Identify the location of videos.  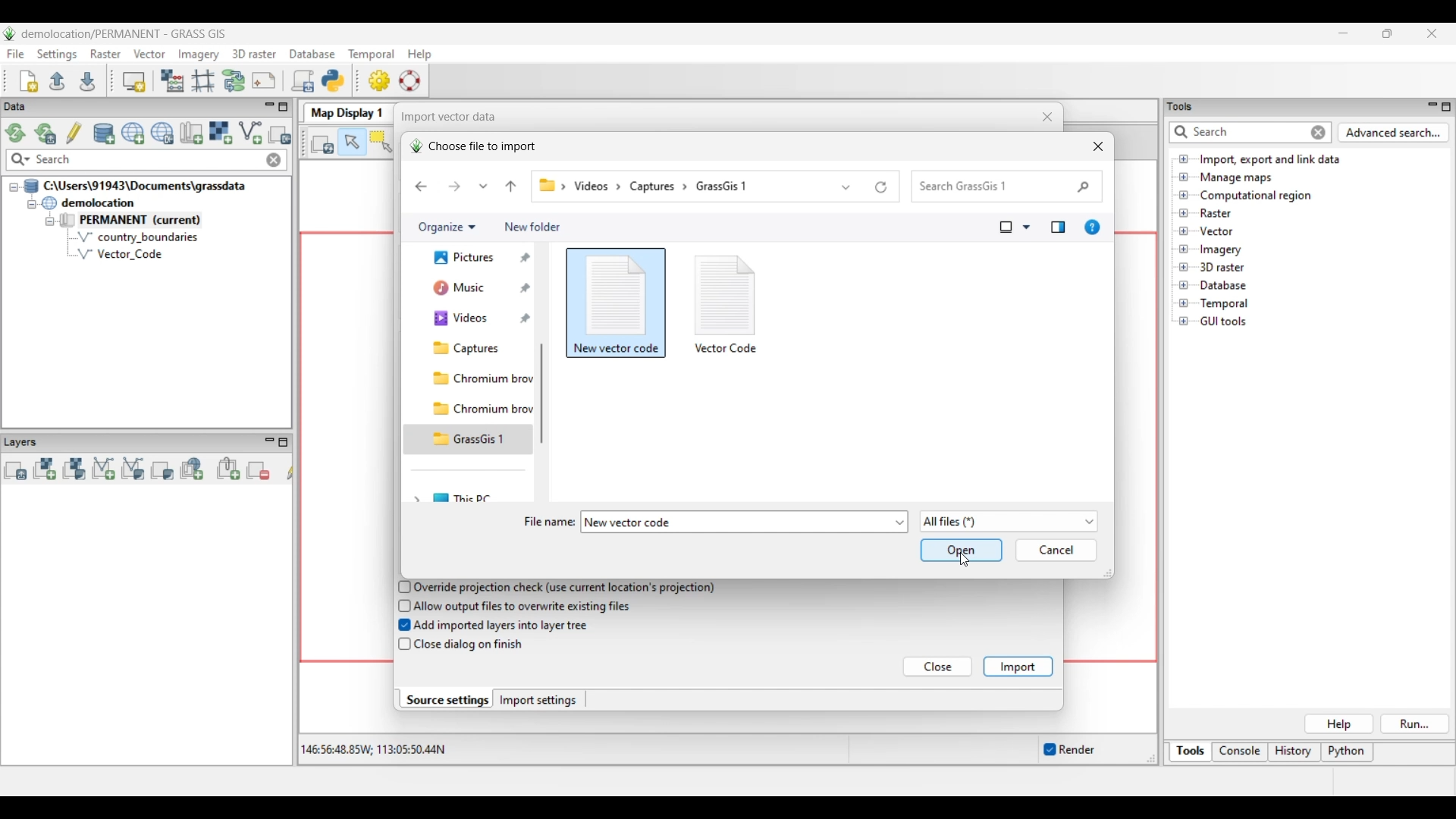
(599, 187).